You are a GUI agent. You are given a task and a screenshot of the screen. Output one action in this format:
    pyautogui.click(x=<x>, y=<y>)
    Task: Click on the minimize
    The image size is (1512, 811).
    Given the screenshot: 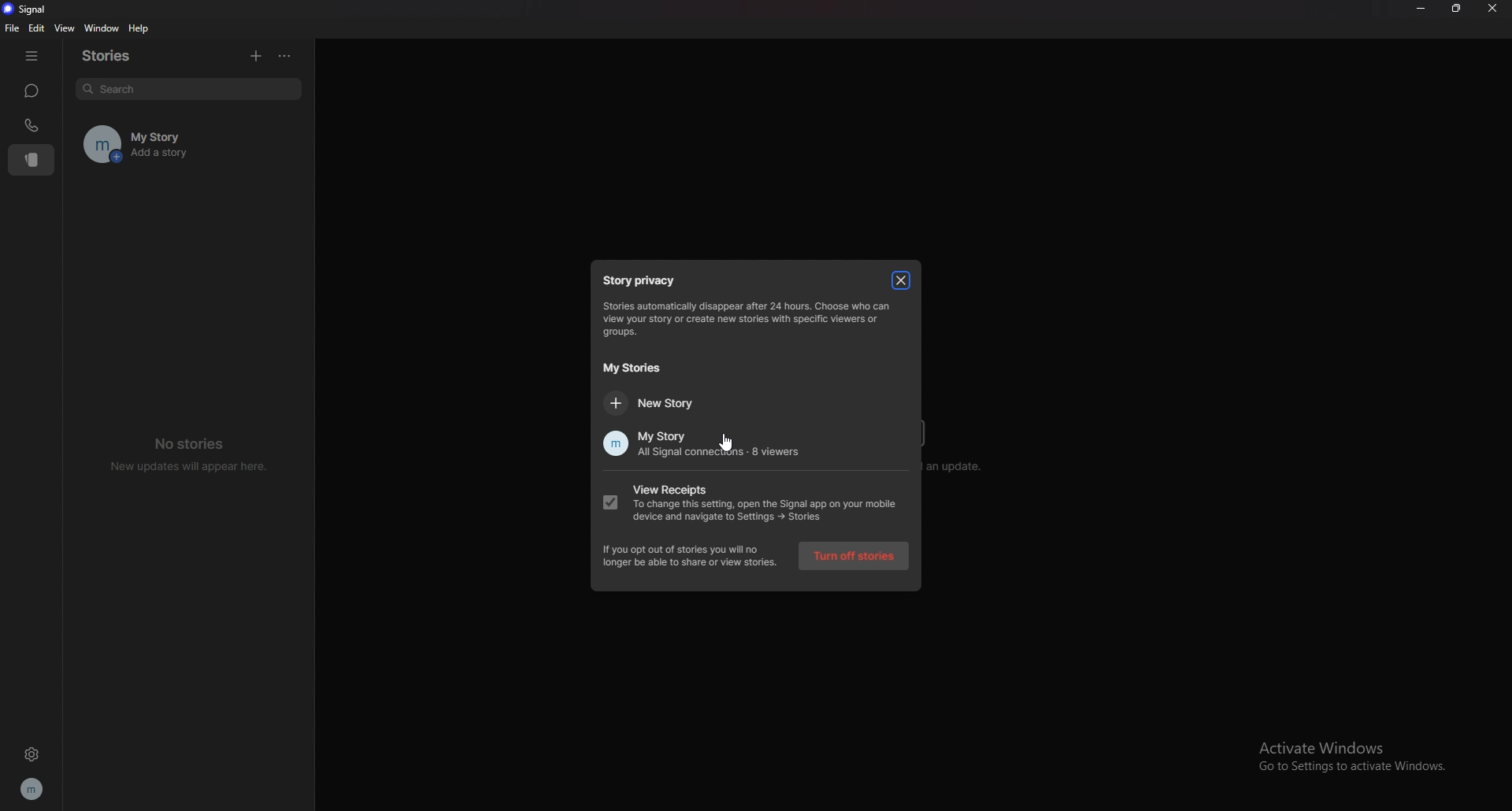 What is the action you would take?
    pyautogui.click(x=1421, y=9)
    